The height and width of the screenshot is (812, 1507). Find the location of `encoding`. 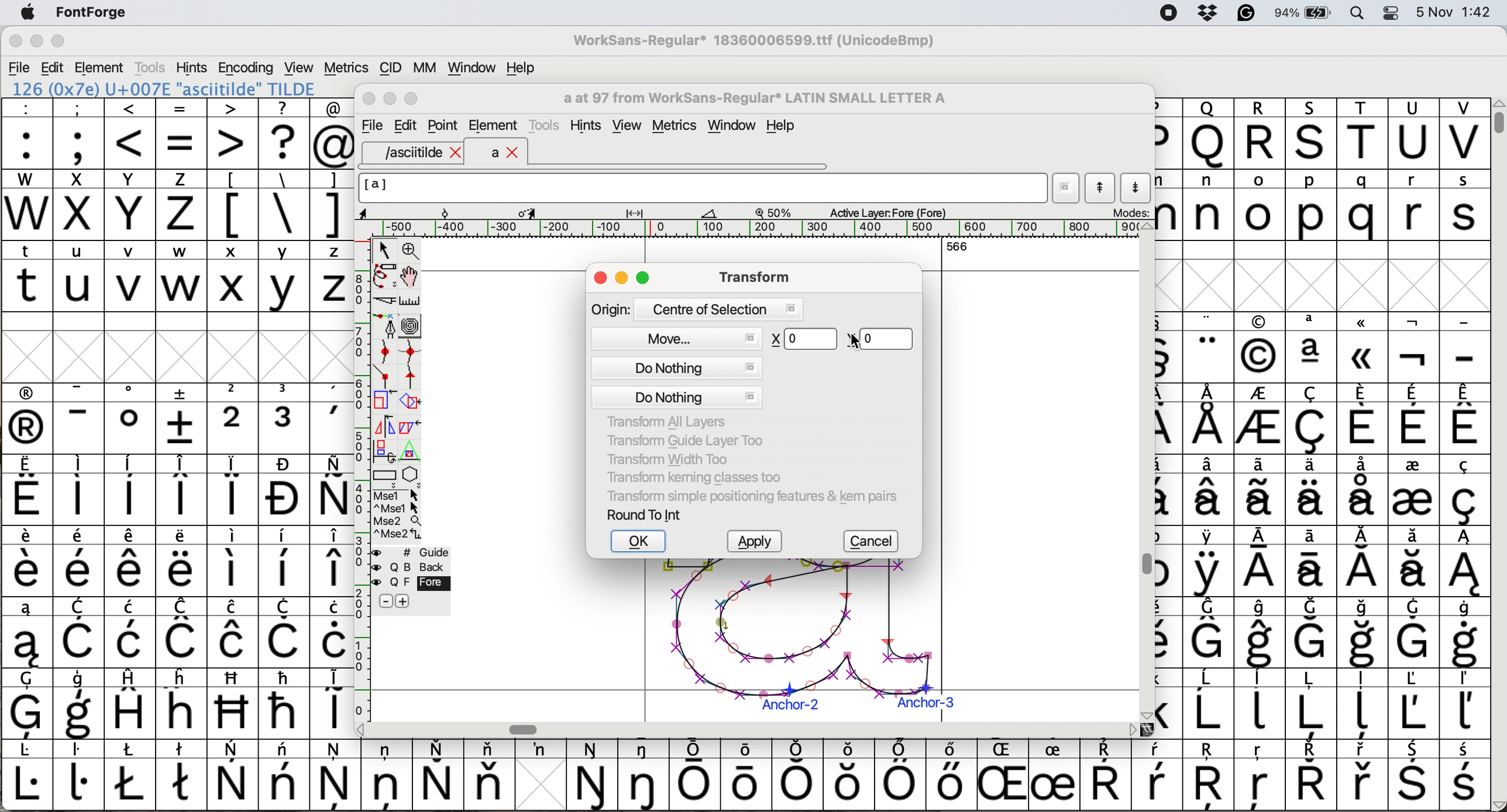

encoding is located at coordinates (247, 68).